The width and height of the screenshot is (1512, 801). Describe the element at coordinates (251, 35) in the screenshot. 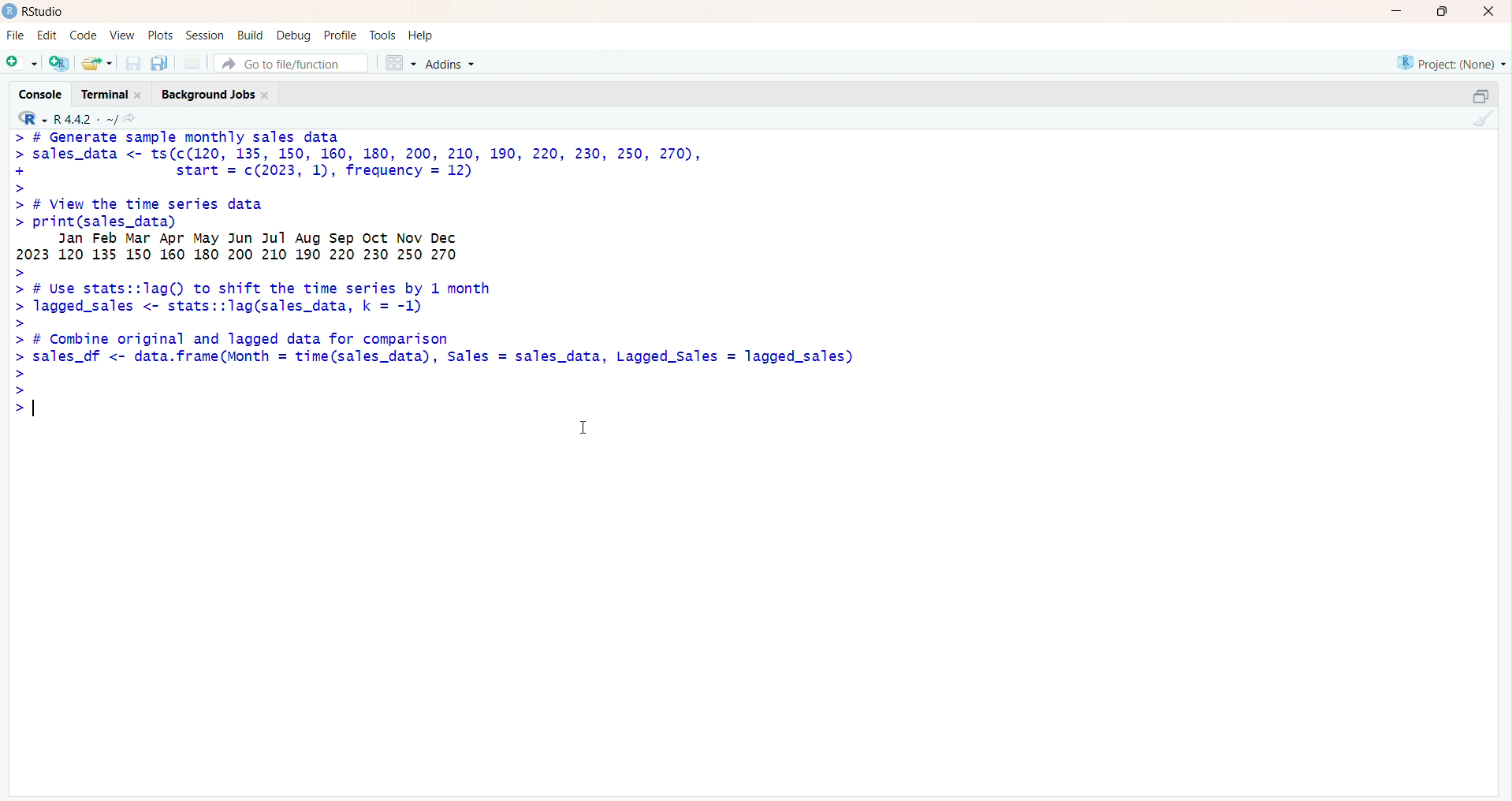

I see `build` at that location.